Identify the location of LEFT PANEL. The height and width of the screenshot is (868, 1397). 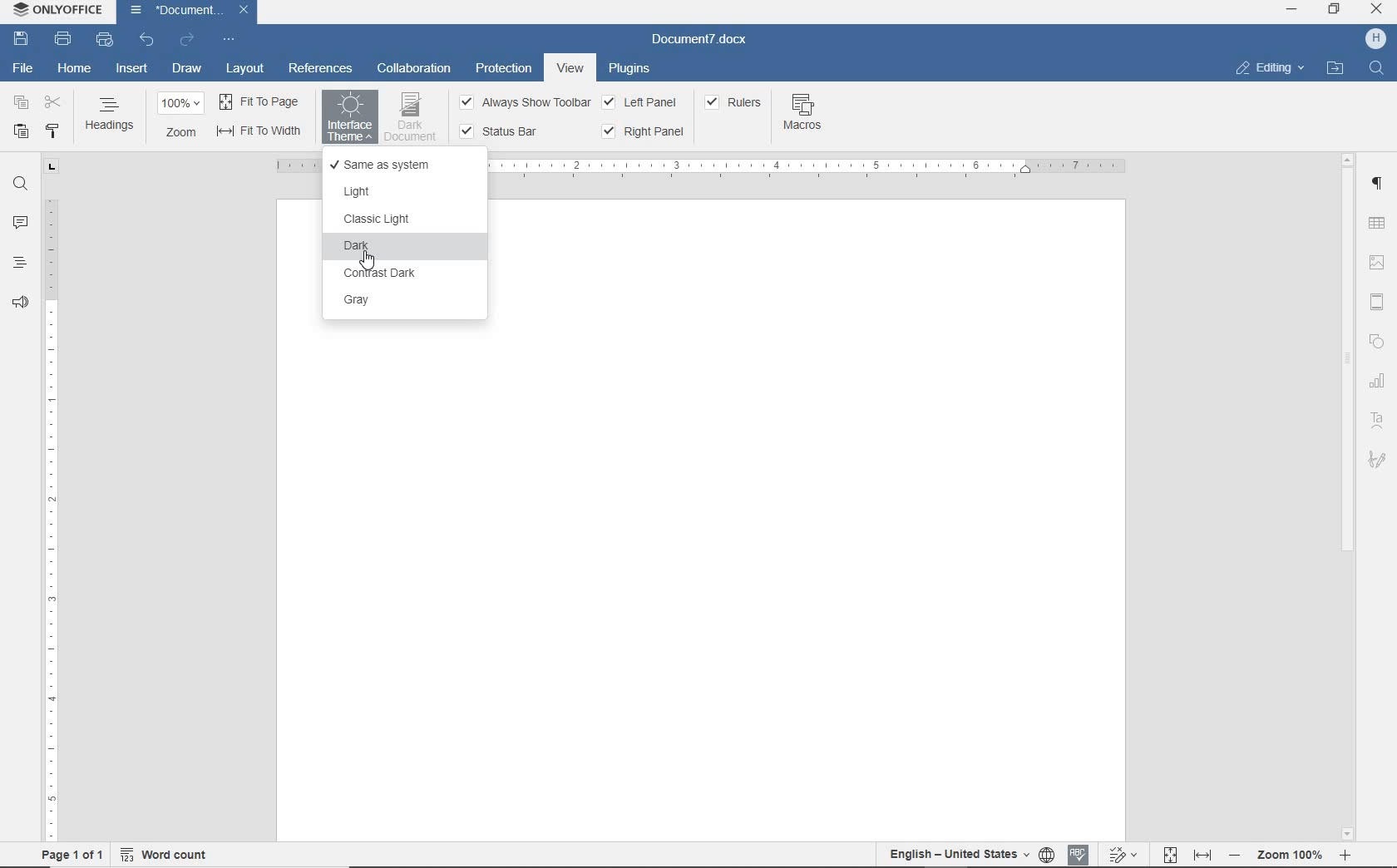
(641, 101).